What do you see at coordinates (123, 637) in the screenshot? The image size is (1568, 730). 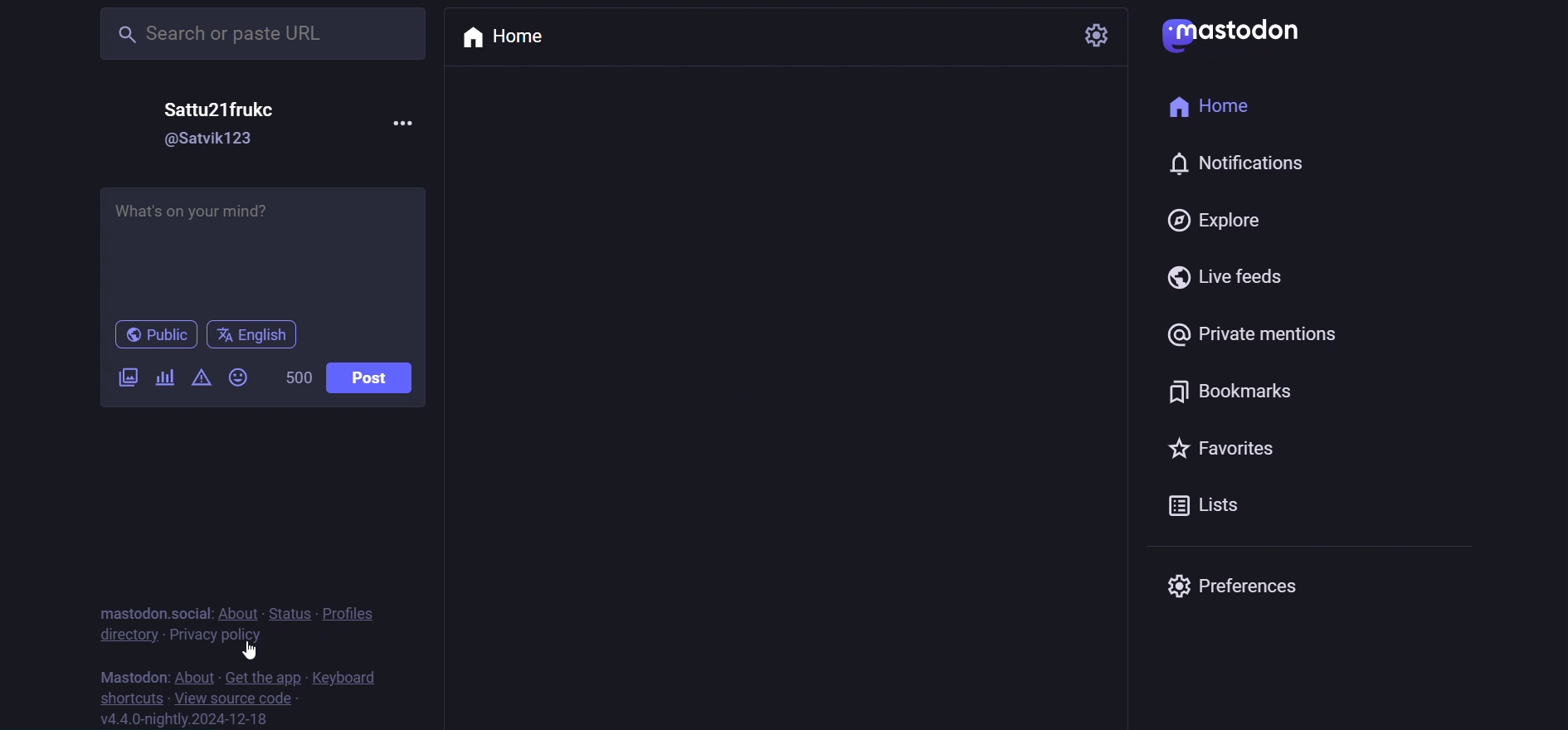 I see `directory` at bounding box center [123, 637].